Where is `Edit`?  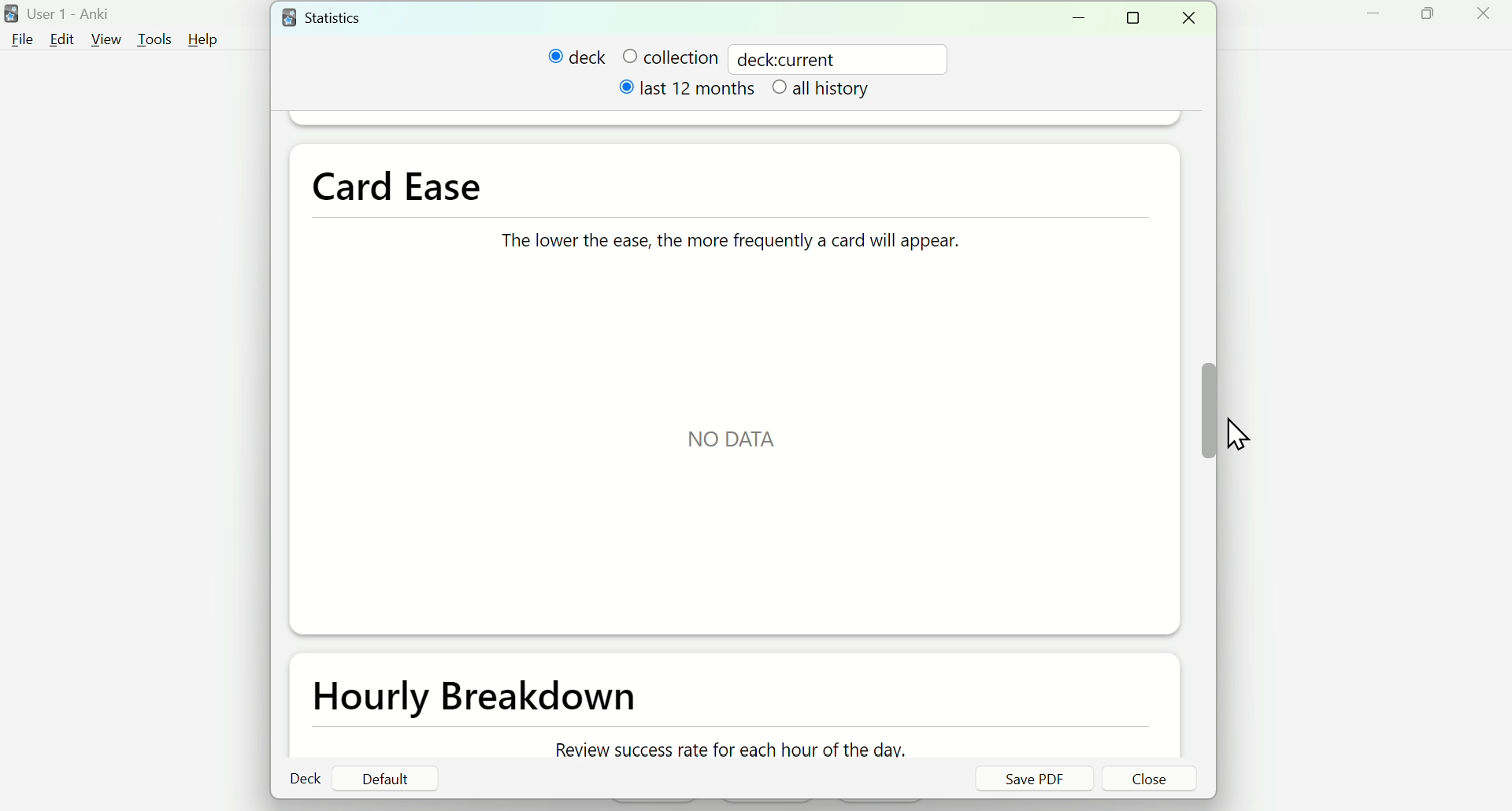
Edit is located at coordinates (61, 39).